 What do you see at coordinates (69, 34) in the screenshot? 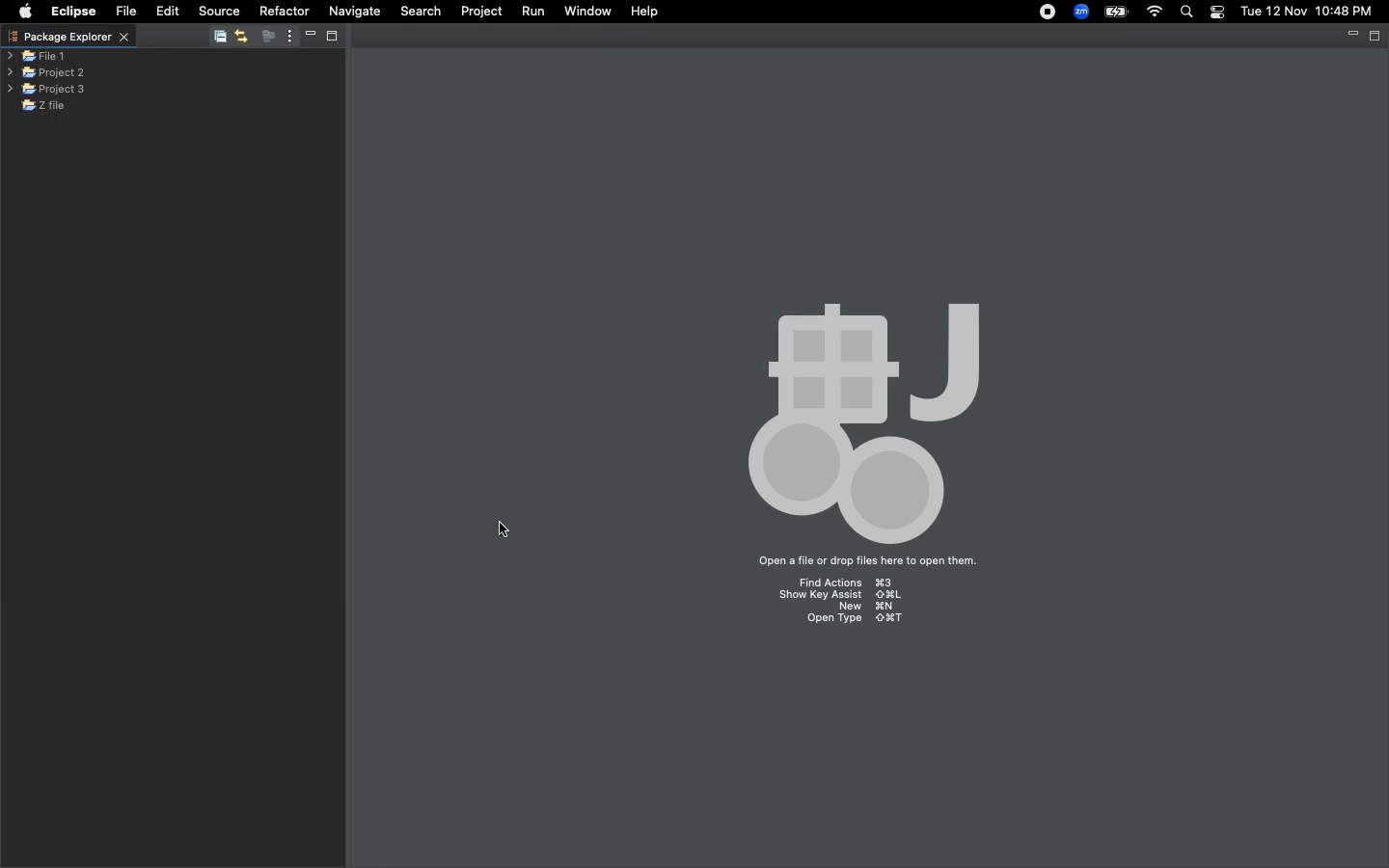
I see `package explorer` at bounding box center [69, 34].